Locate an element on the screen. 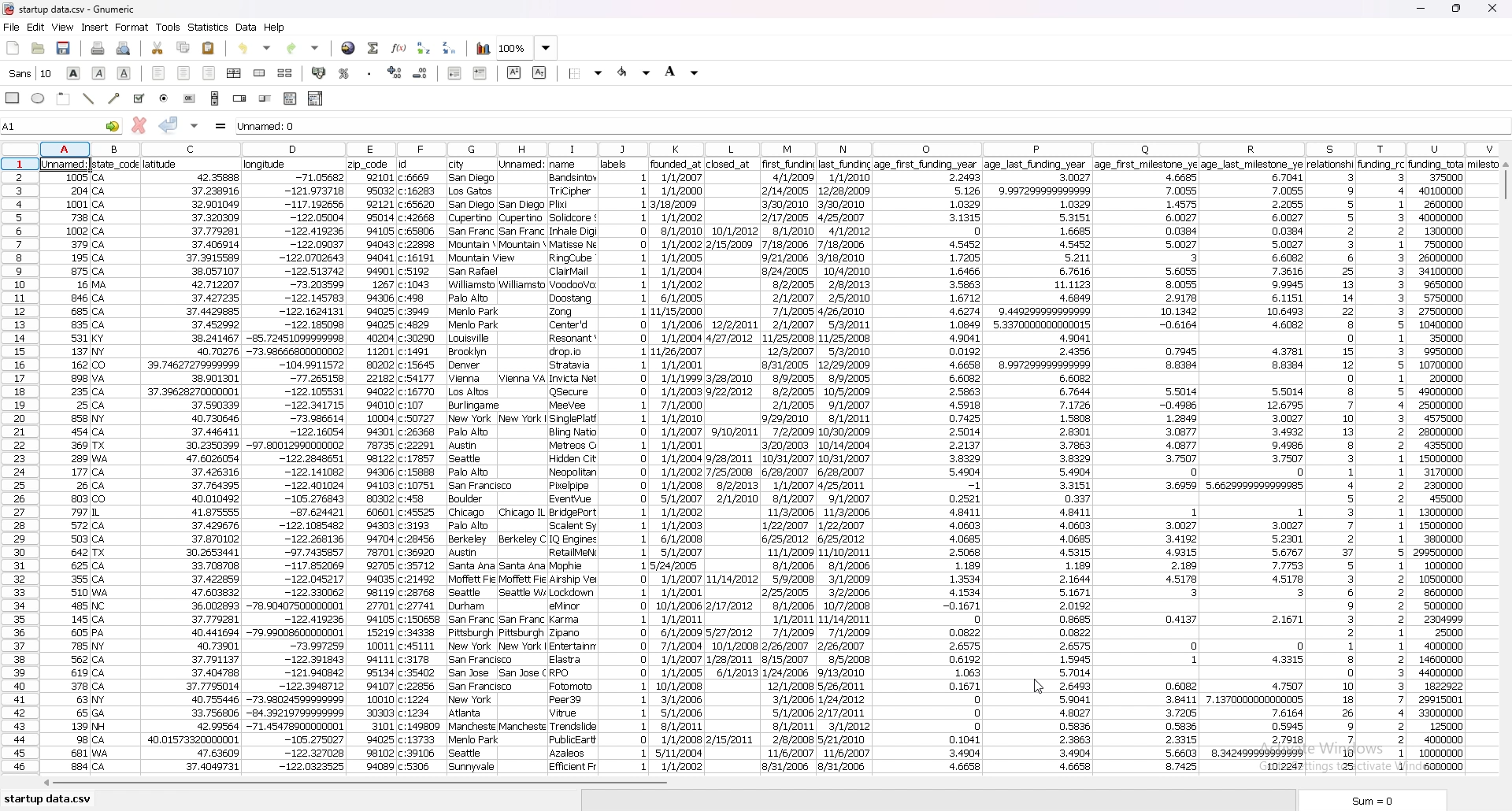 Image resolution: width=1512 pixels, height=811 pixels. daat is located at coordinates (1147, 467).